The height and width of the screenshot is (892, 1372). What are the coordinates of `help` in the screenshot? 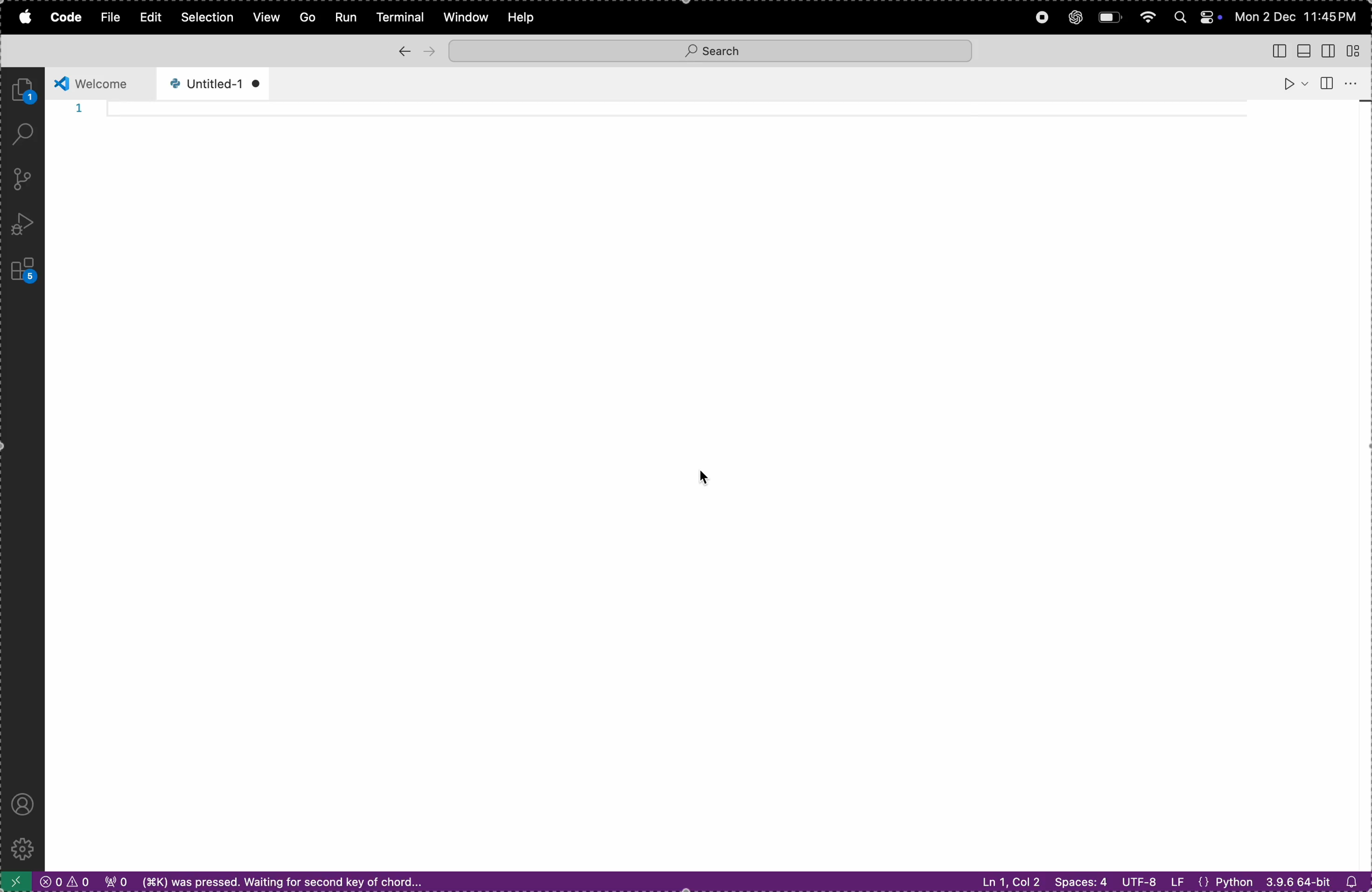 It's located at (529, 17).